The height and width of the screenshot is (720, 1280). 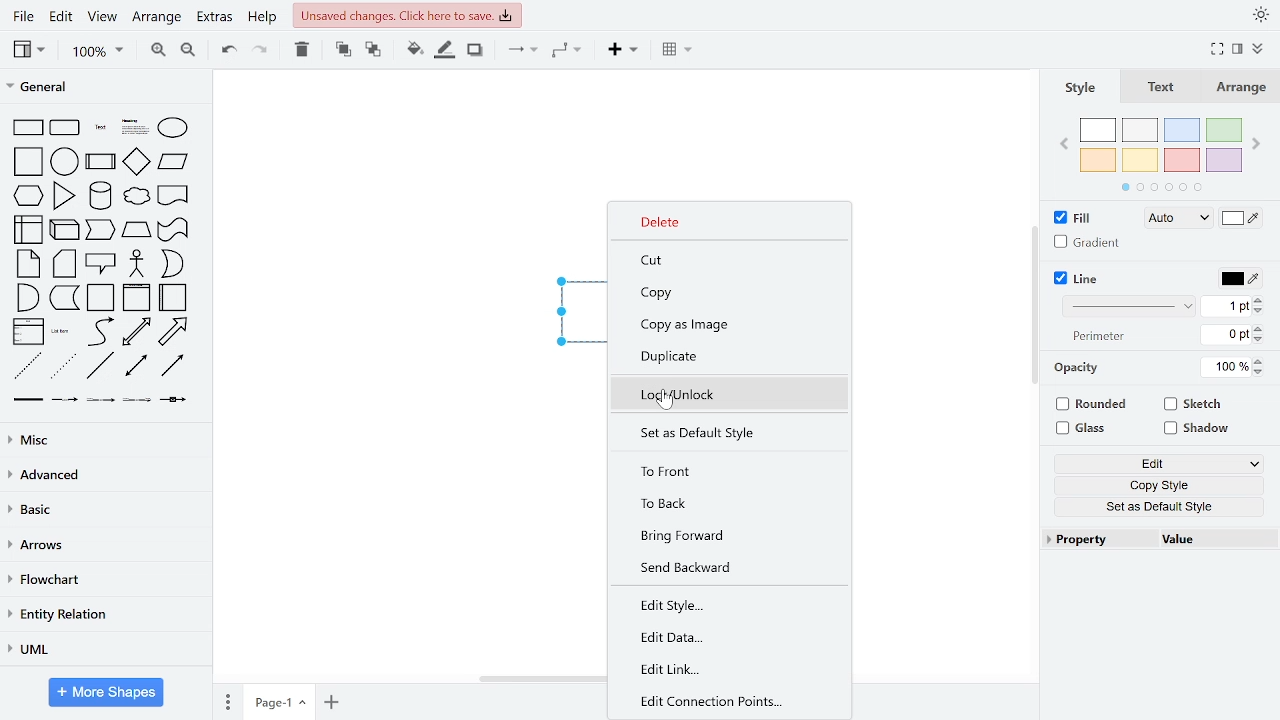 I want to click on edit connection points, so click(x=723, y=702).